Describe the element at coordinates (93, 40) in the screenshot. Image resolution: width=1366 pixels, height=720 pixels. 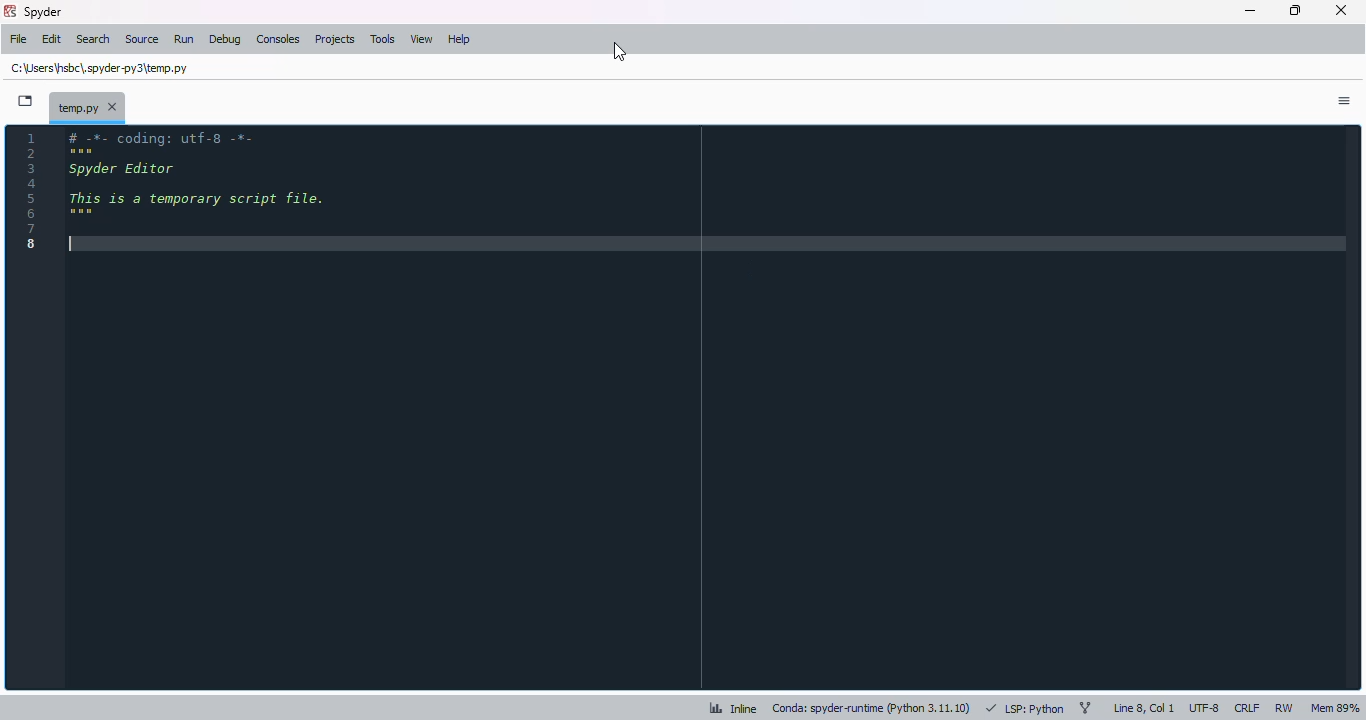
I see `search` at that location.